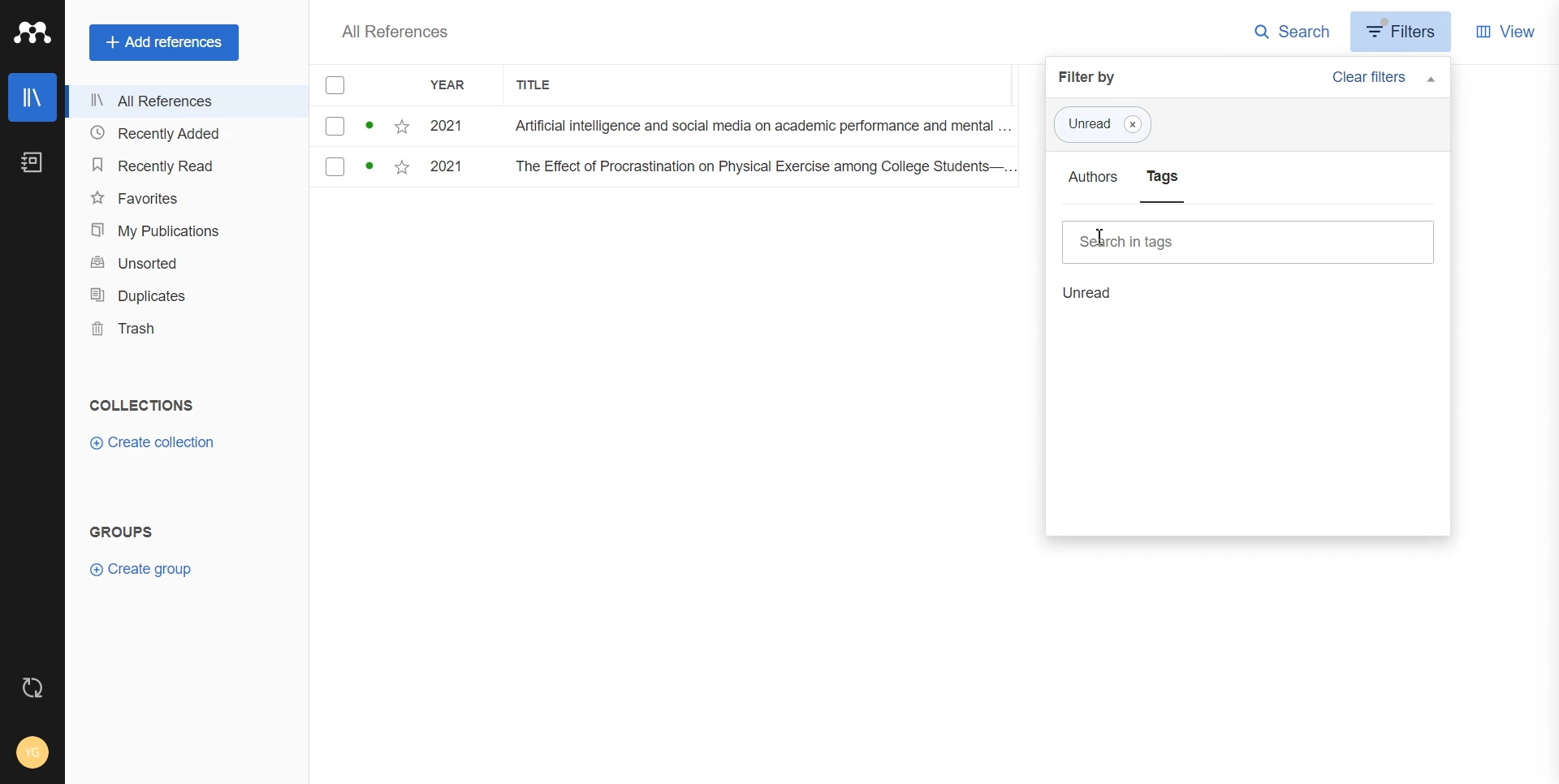 This screenshot has width=1559, height=784. I want to click on Library, so click(32, 97).